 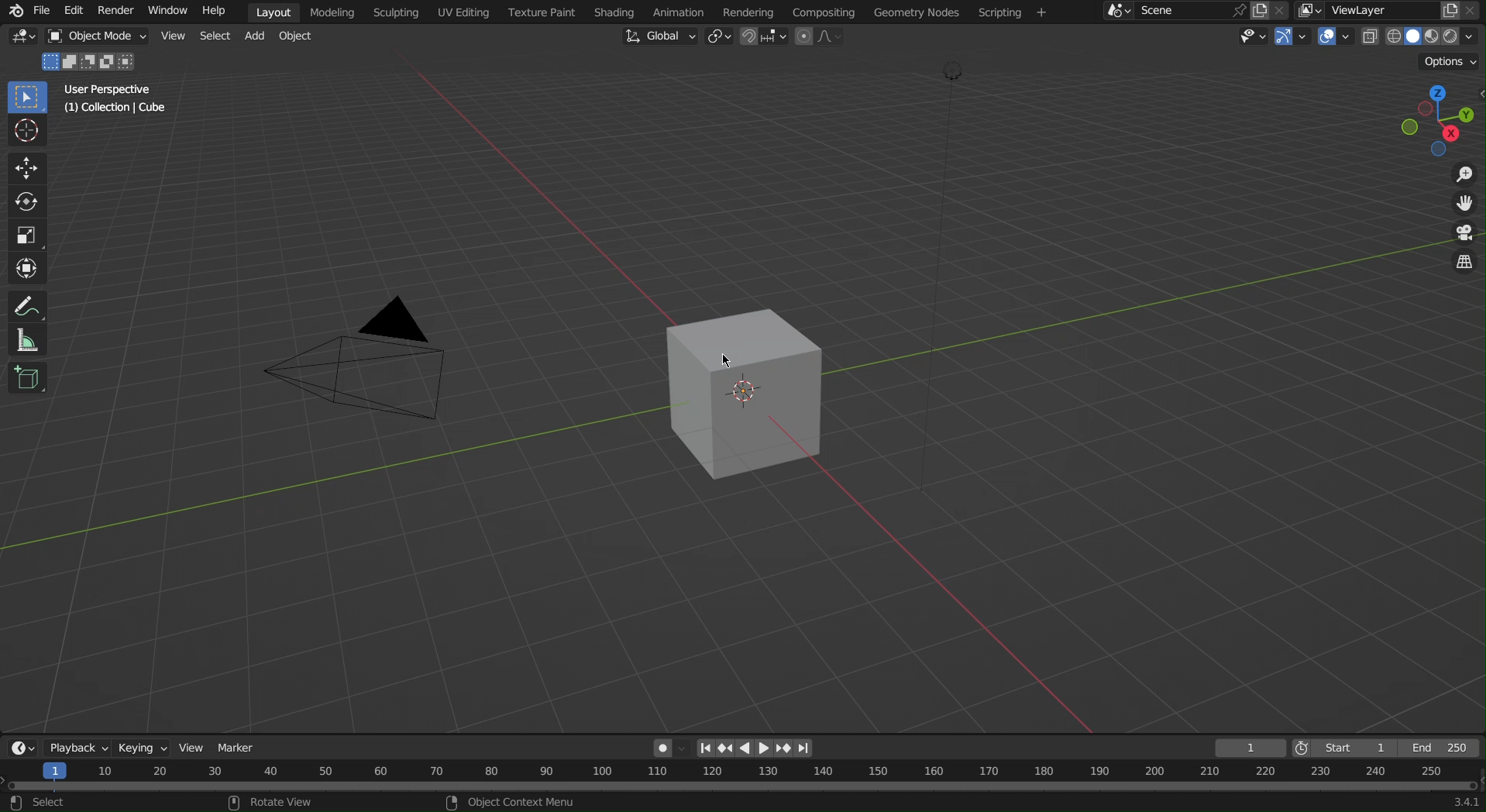 What do you see at coordinates (24, 39) in the screenshot?
I see `Editor Type` at bounding box center [24, 39].